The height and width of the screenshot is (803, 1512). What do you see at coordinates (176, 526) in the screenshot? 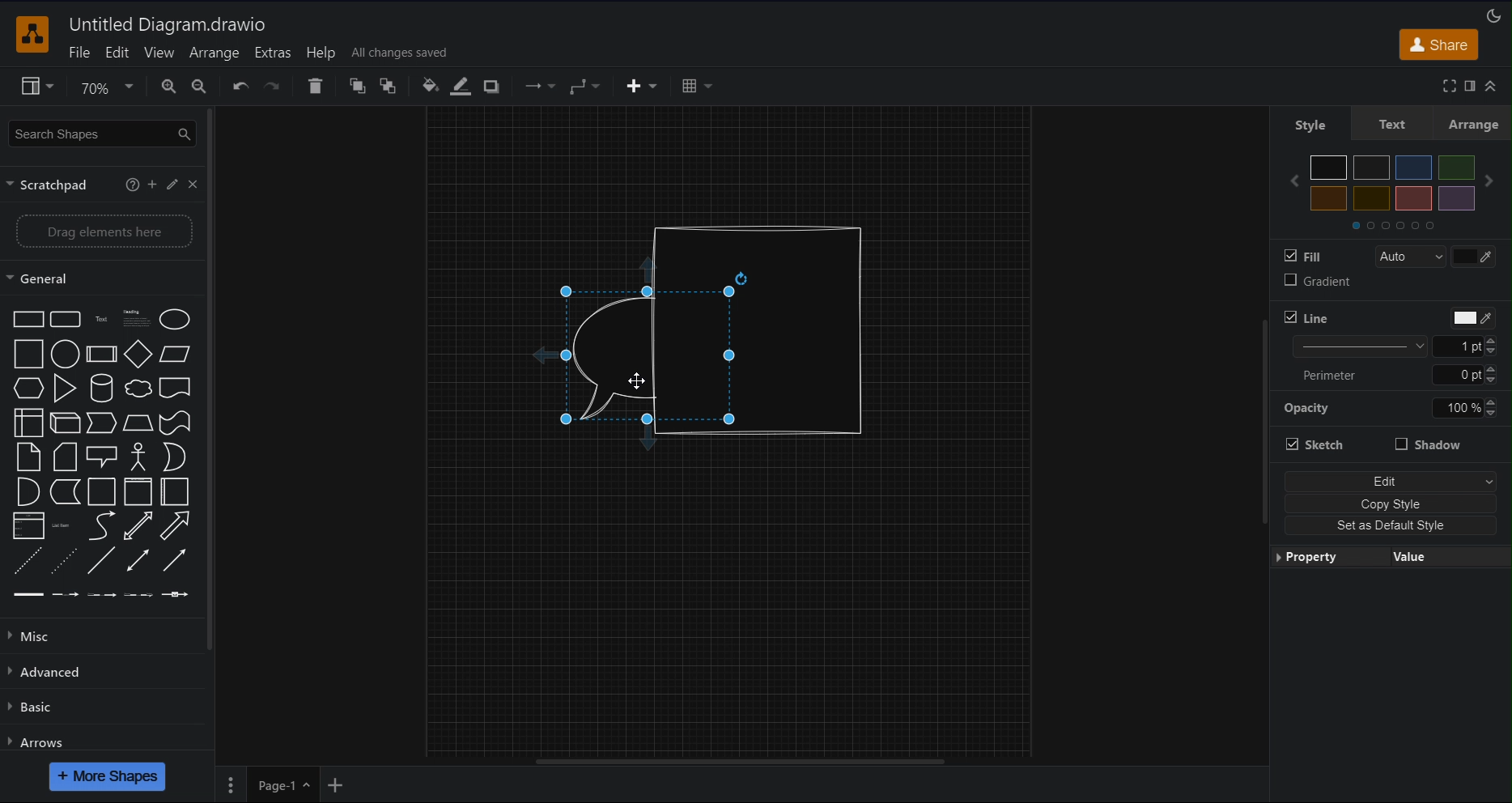
I see `Arrow` at bounding box center [176, 526].